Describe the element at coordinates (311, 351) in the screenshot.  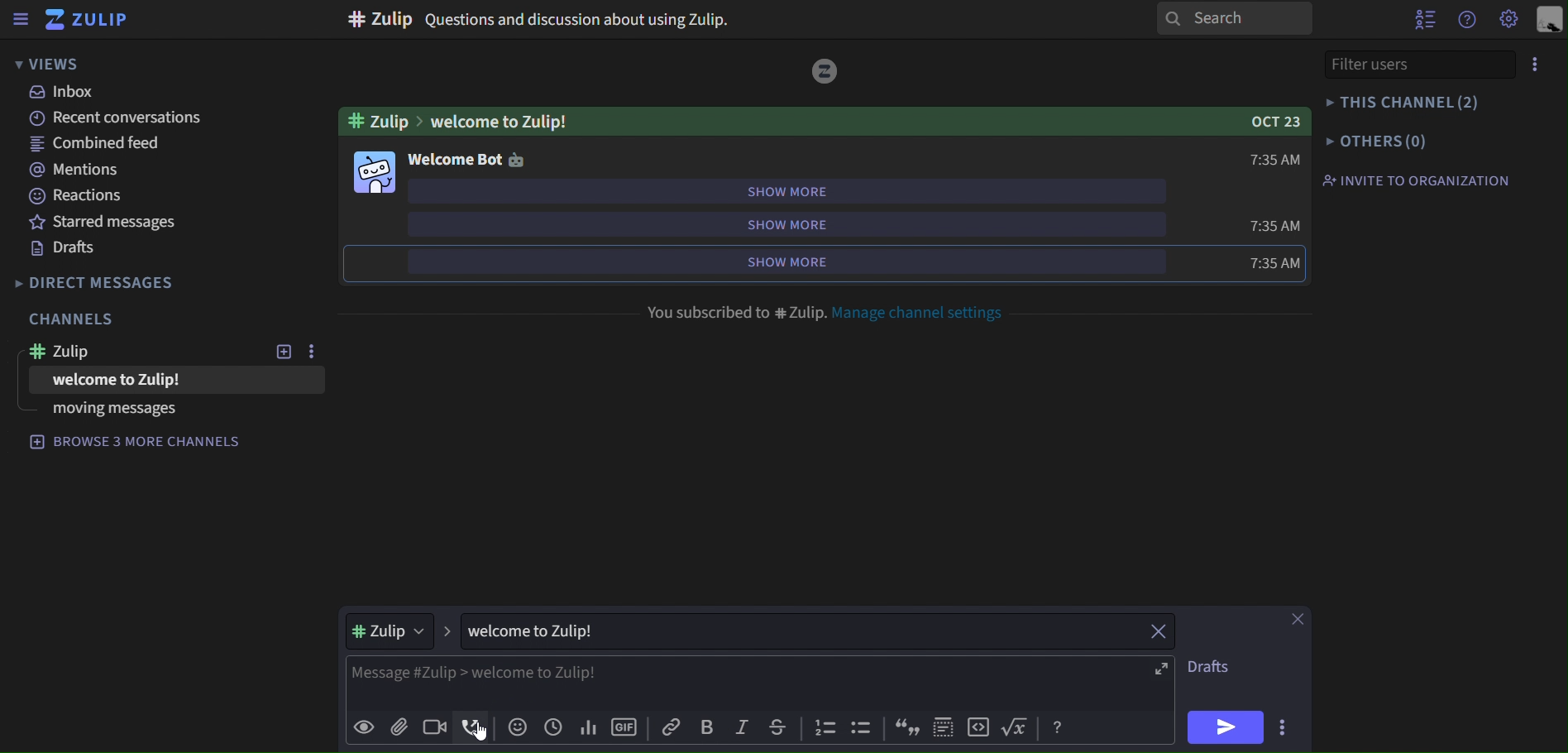
I see `more options` at that location.